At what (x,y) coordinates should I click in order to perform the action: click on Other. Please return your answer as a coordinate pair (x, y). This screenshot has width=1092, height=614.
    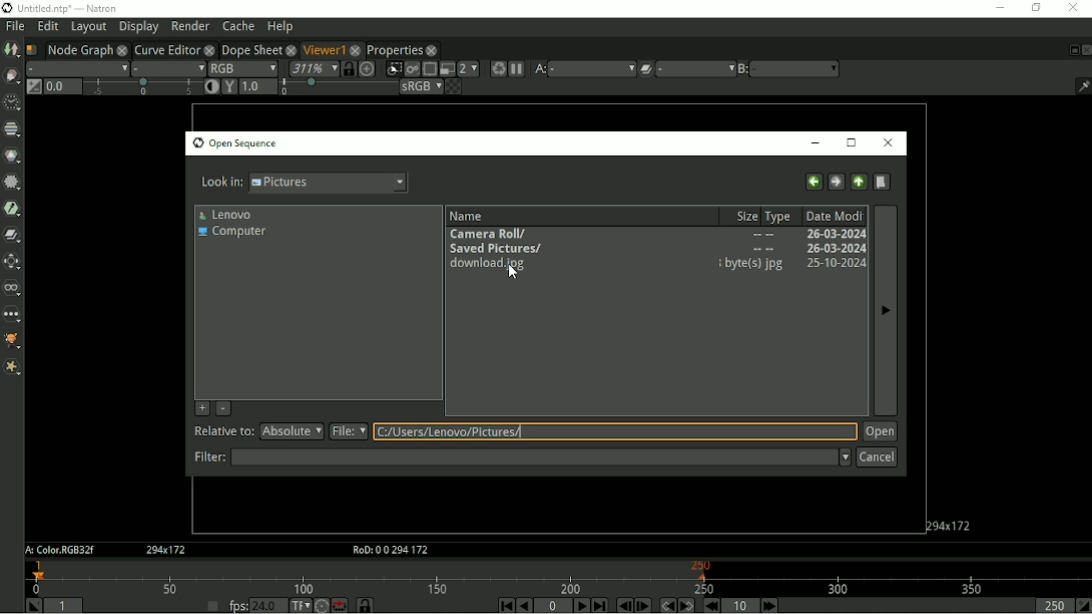
    Looking at the image, I should click on (11, 315).